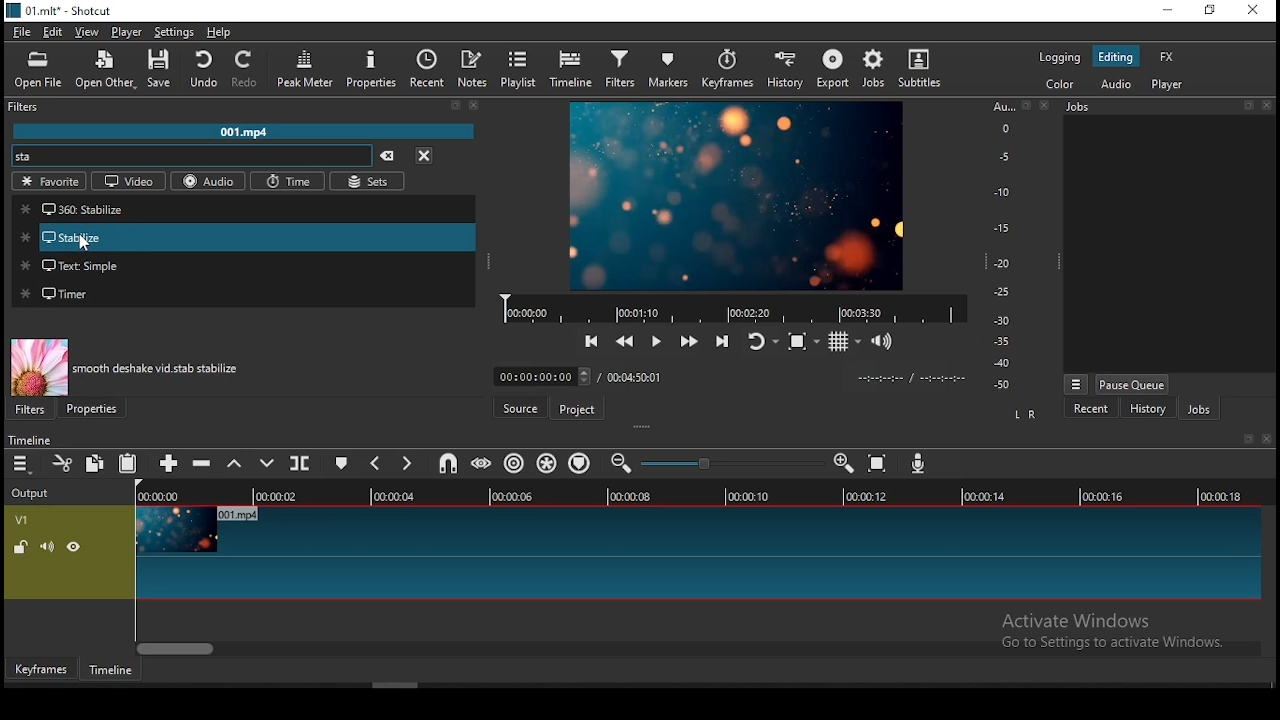 The image size is (1280, 720). Describe the element at coordinates (695, 648) in the screenshot. I see `scroll bar` at that location.